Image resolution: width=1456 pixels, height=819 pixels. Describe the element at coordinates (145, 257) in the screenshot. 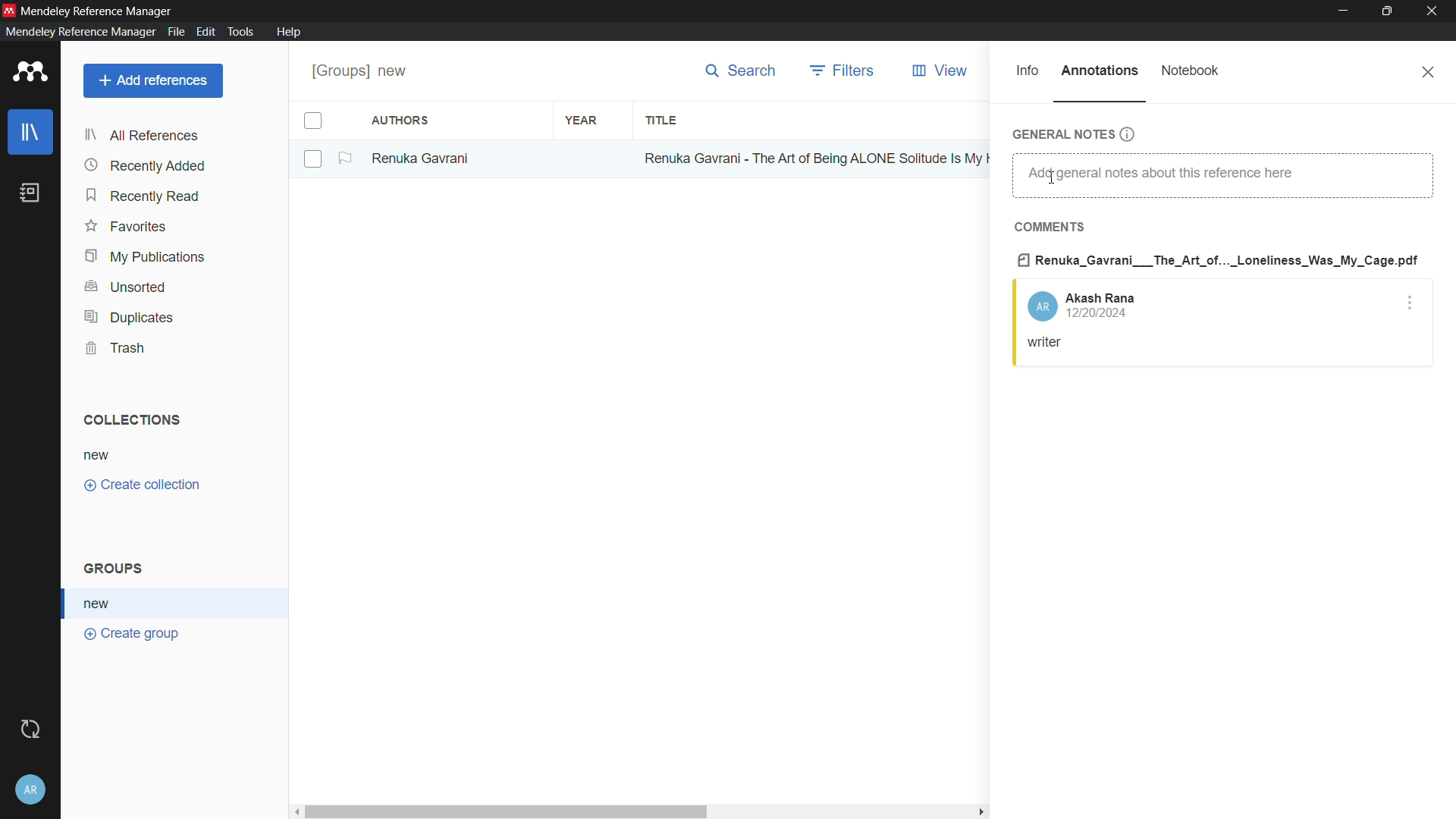

I see `my publications` at that location.